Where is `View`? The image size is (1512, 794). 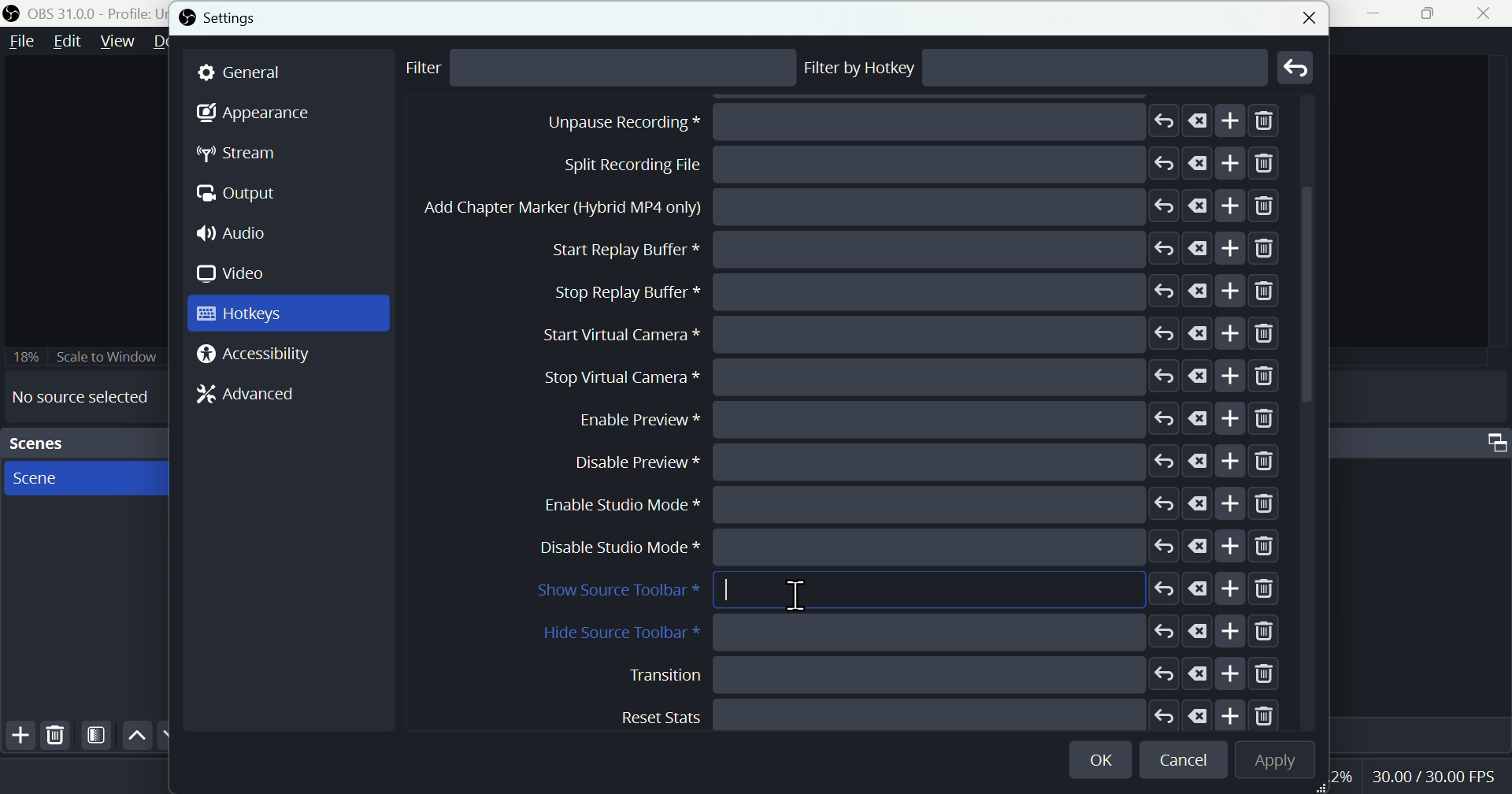 View is located at coordinates (114, 42).